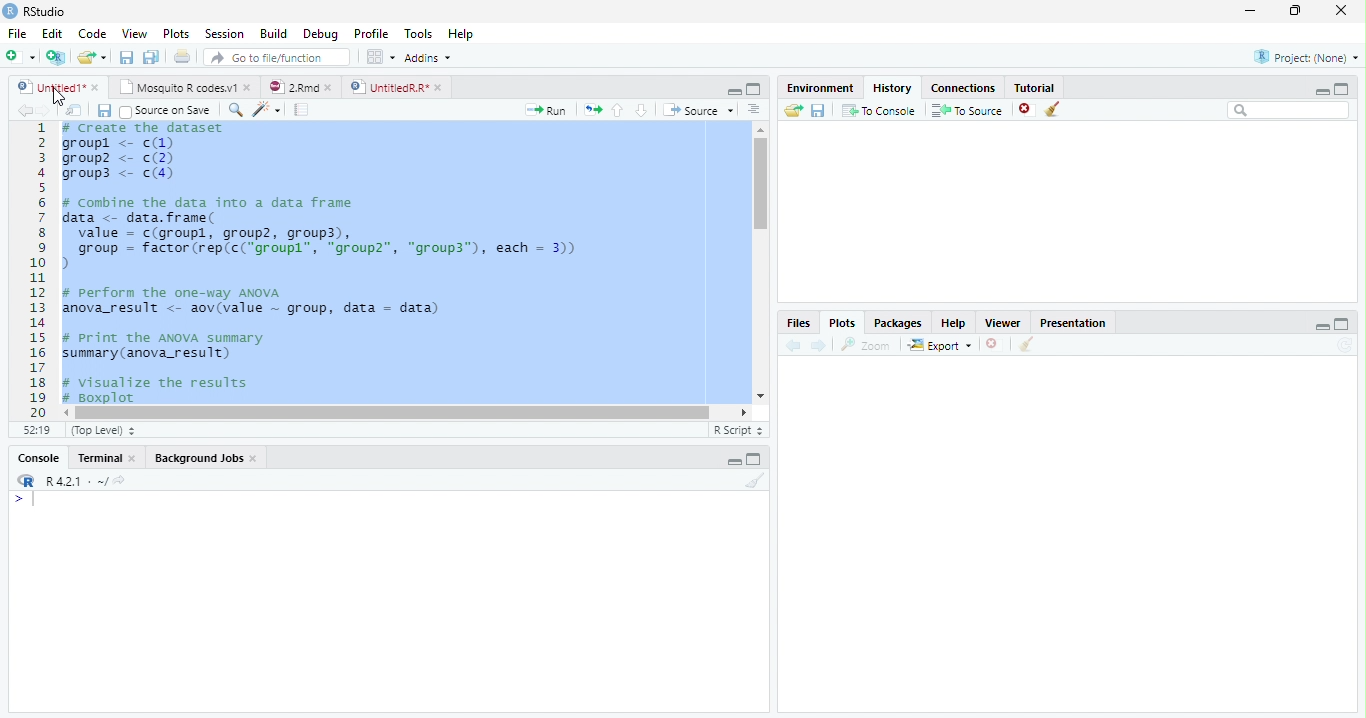 The width and height of the screenshot is (1366, 718). Describe the element at coordinates (1339, 12) in the screenshot. I see `Close` at that location.